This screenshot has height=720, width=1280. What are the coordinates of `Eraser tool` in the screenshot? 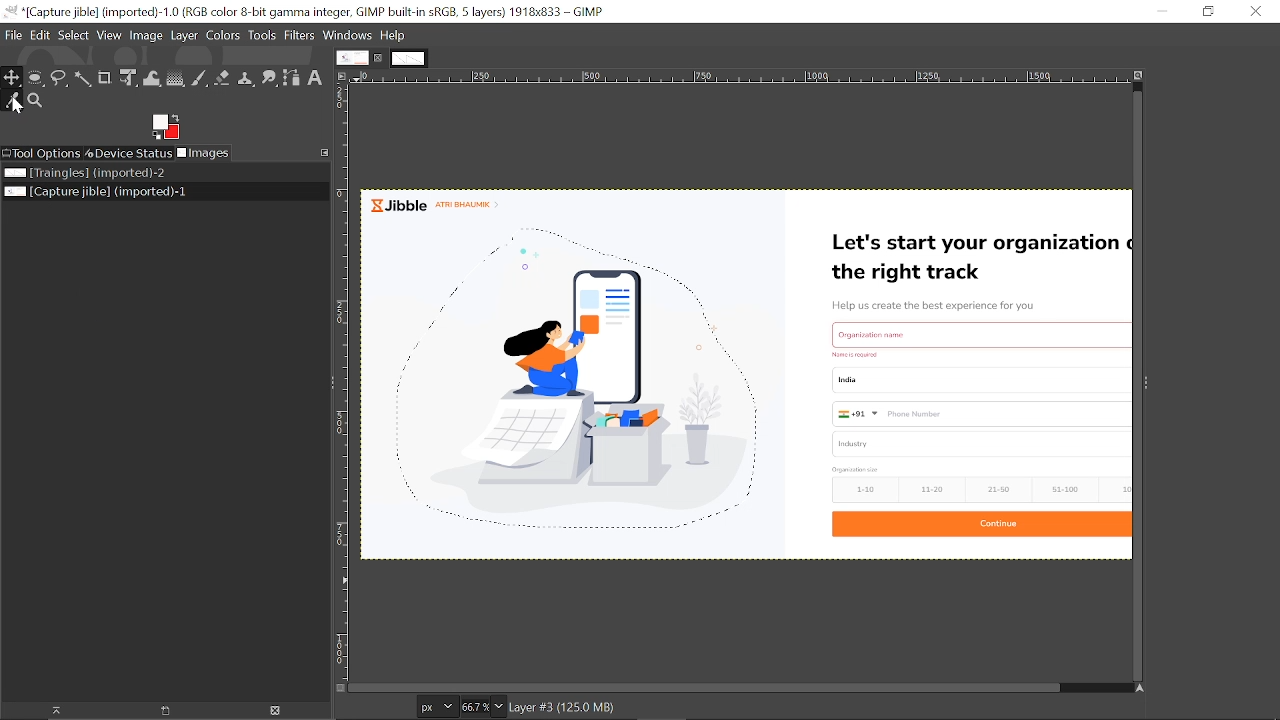 It's located at (222, 78).